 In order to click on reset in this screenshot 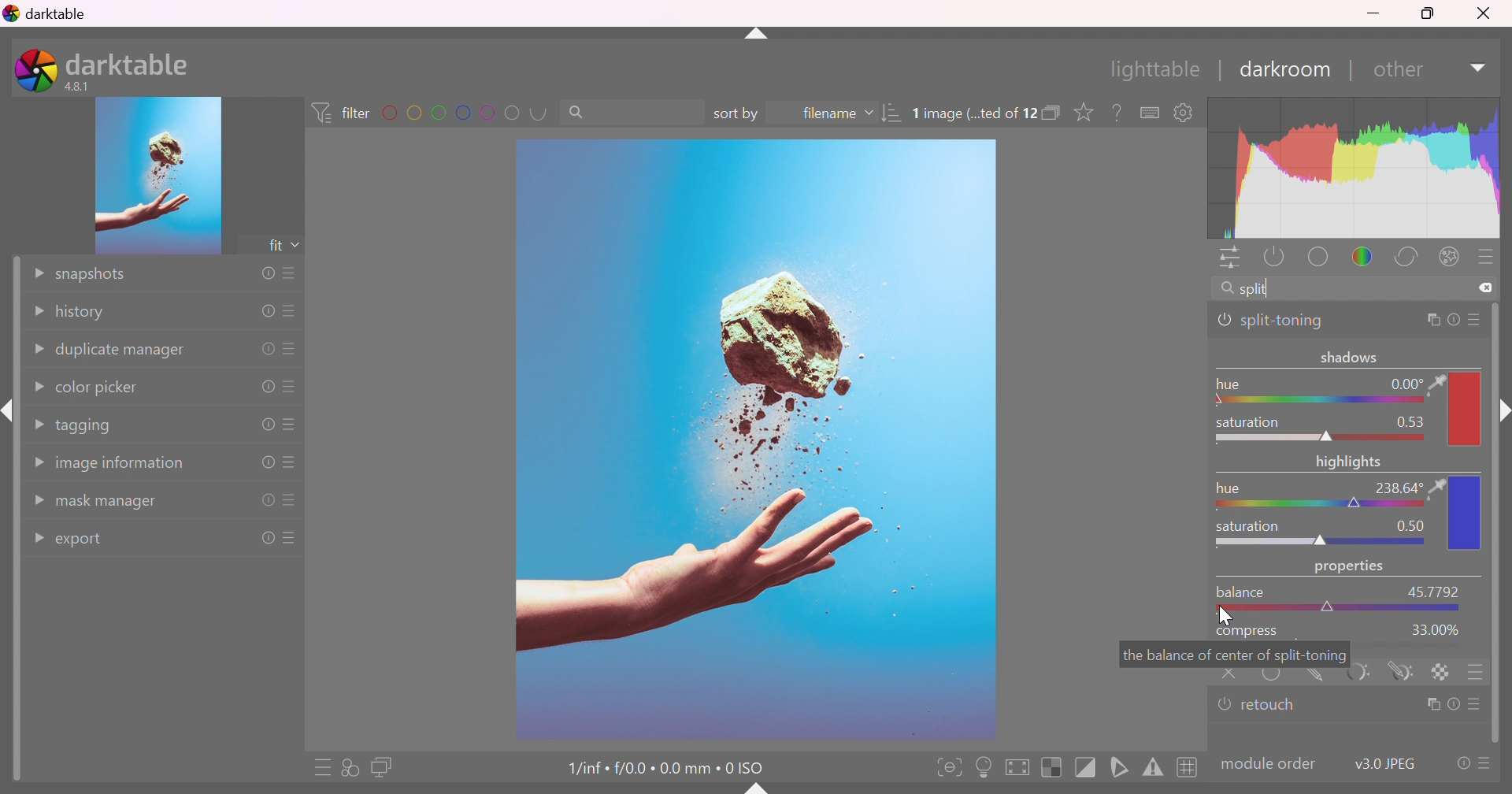, I will do `click(264, 425)`.